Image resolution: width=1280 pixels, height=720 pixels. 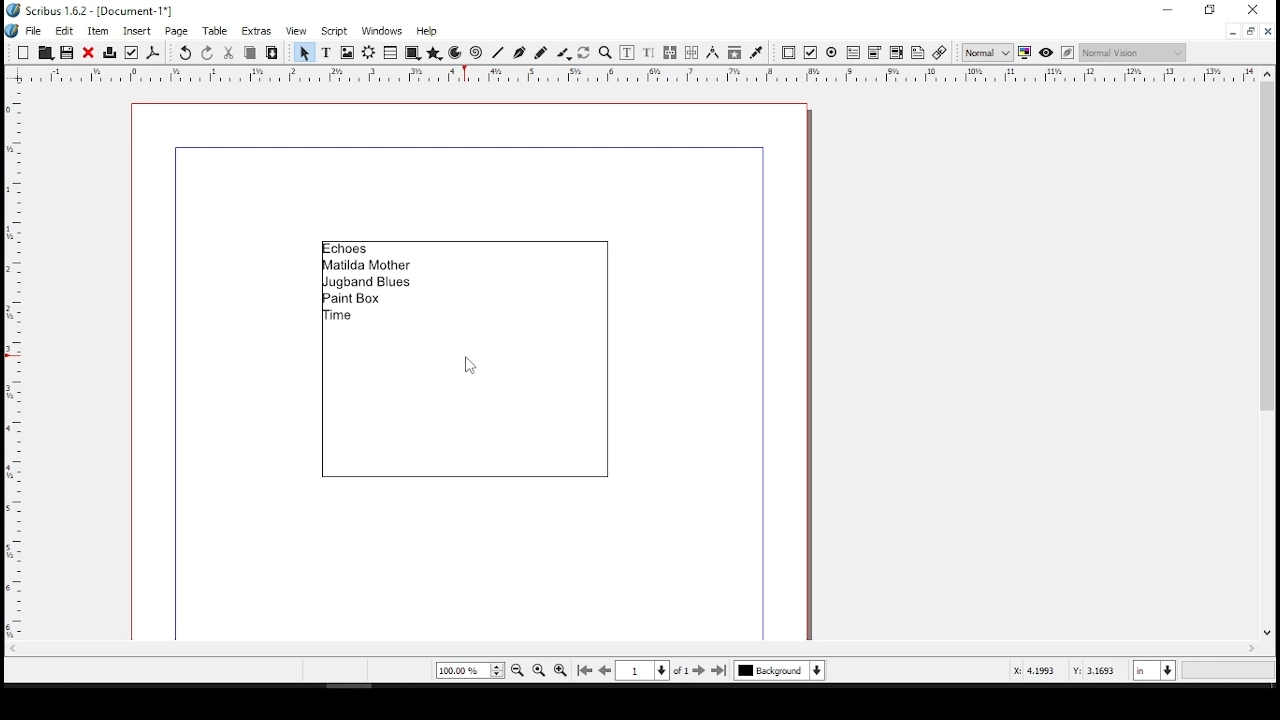 What do you see at coordinates (304, 52) in the screenshot?
I see `select item` at bounding box center [304, 52].